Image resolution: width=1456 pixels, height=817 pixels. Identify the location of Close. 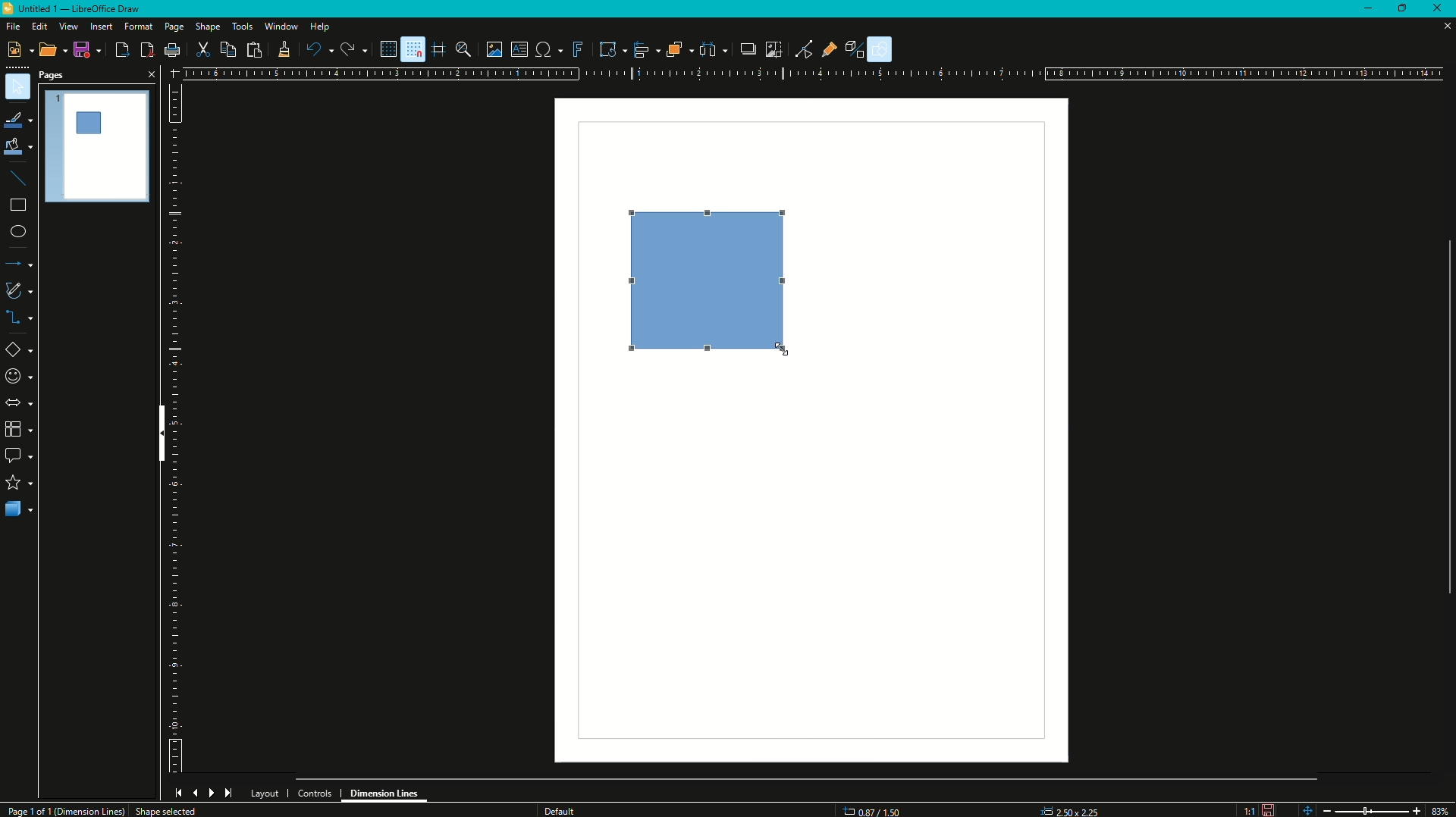
(1441, 9).